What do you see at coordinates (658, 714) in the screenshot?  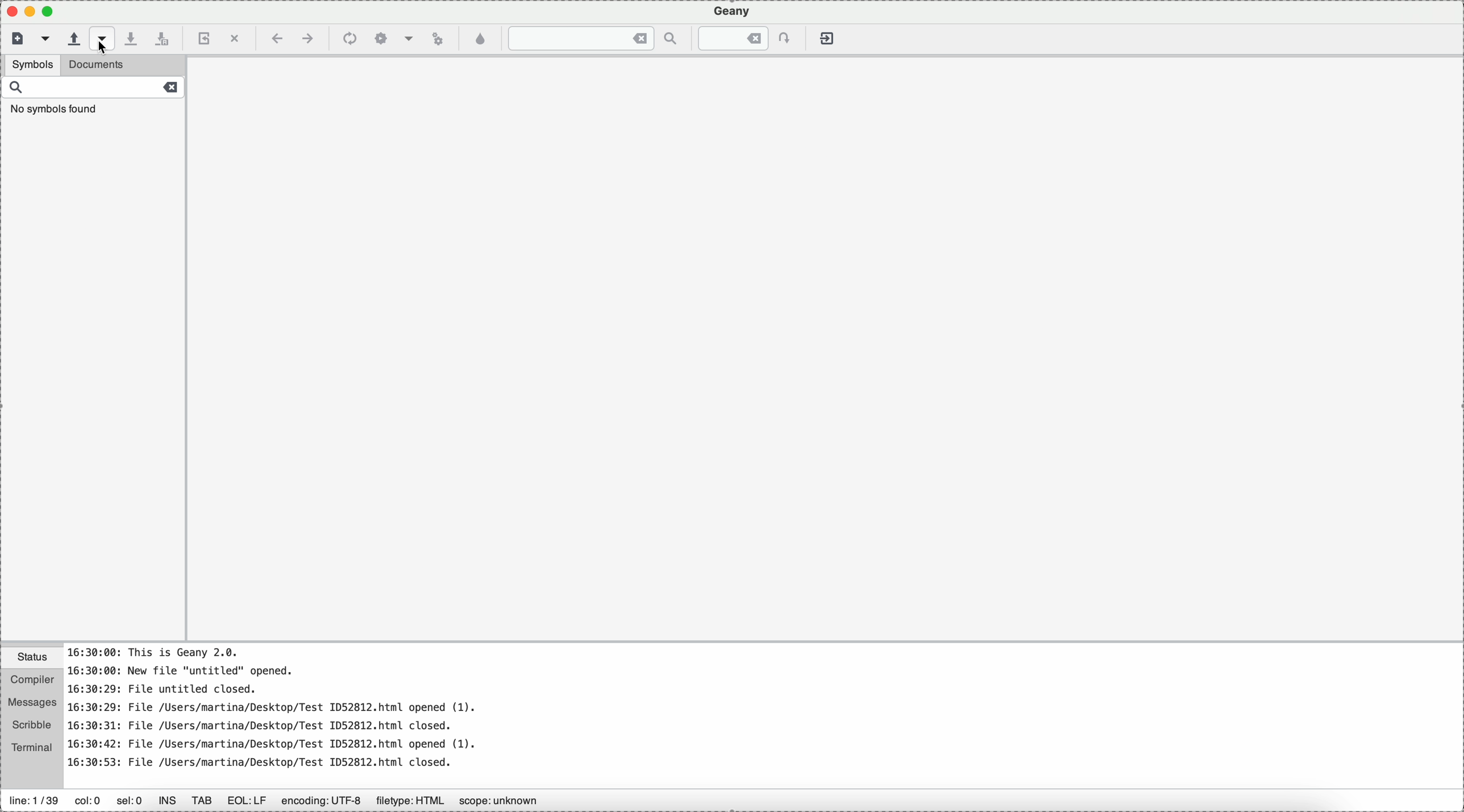 I see `16:30:00 This is Geany 2.0. 16:30:00 New file "untitled" open. 16:30:29 file untitled closed` at bounding box center [658, 714].